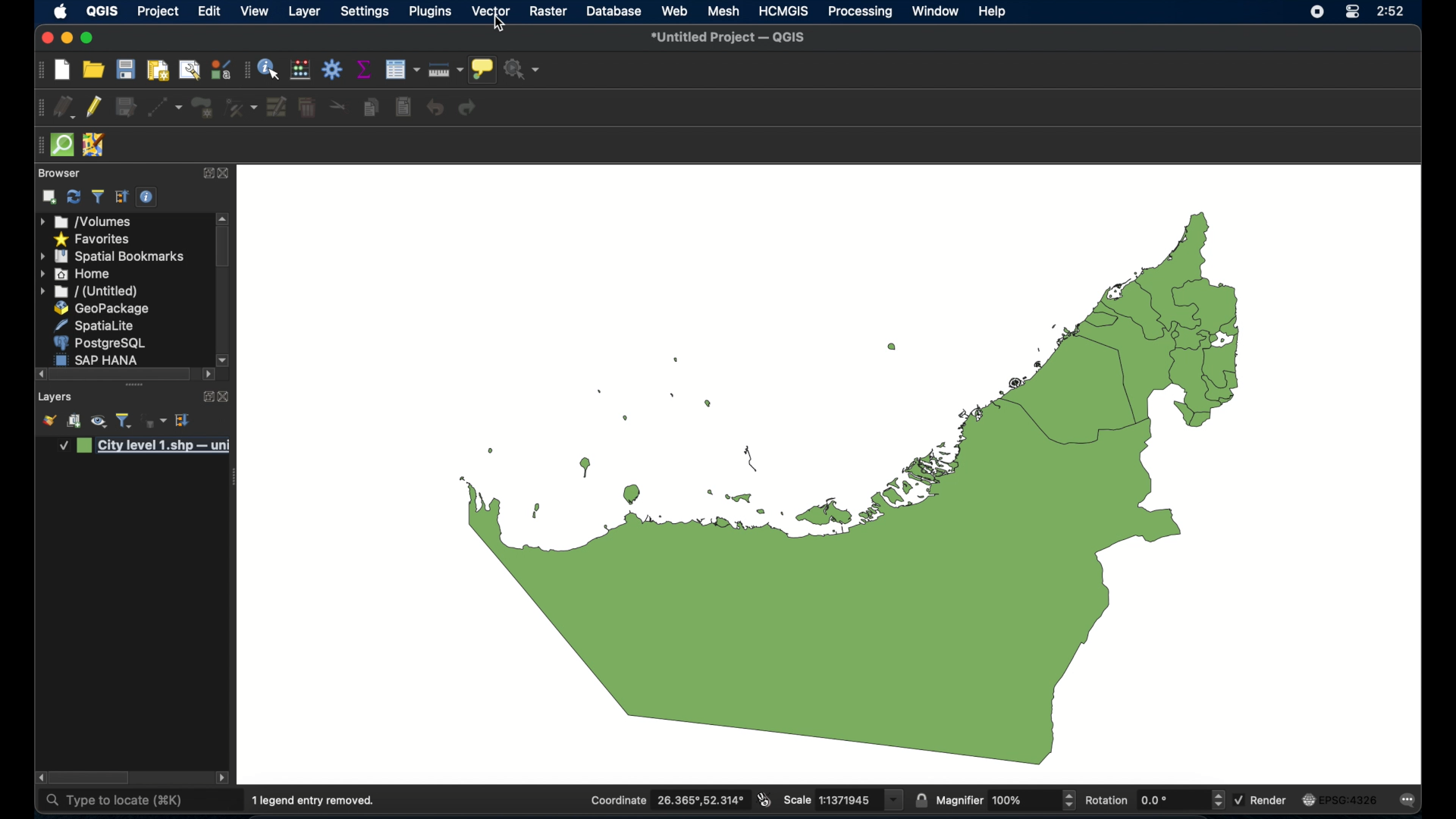 The height and width of the screenshot is (819, 1456). What do you see at coordinates (1392, 12) in the screenshot?
I see `time` at bounding box center [1392, 12].